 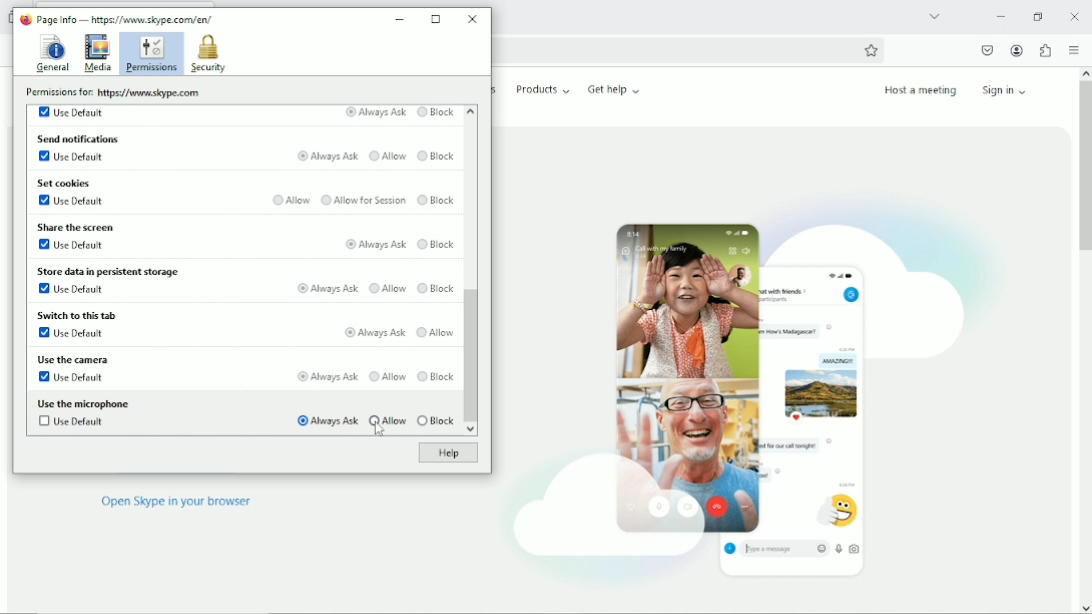 I want to click on Extensions, so click(x=1045, y=50).